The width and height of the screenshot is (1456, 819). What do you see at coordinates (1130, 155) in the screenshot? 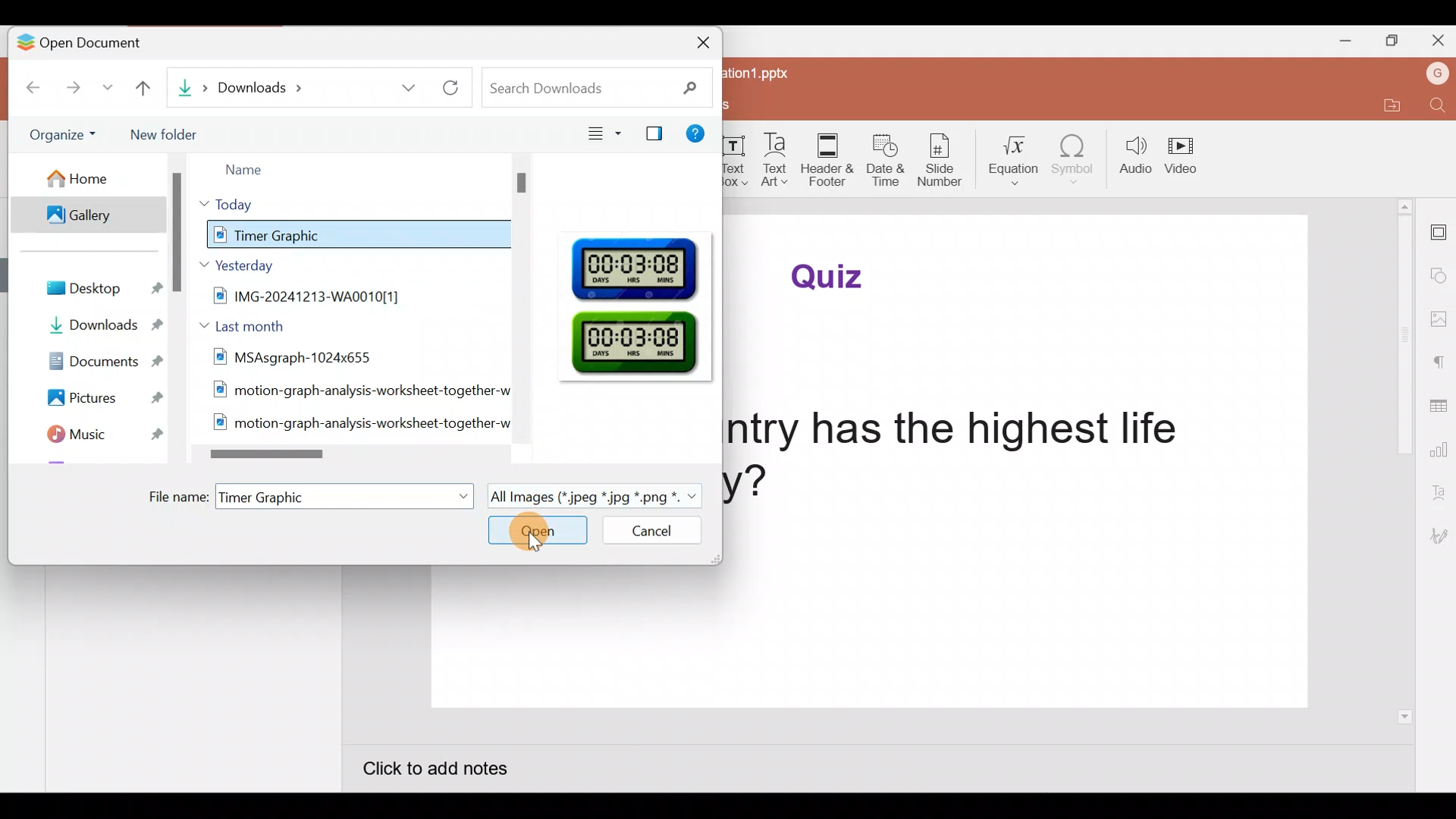
I see `Audio` at bounding box center [1130, 155].